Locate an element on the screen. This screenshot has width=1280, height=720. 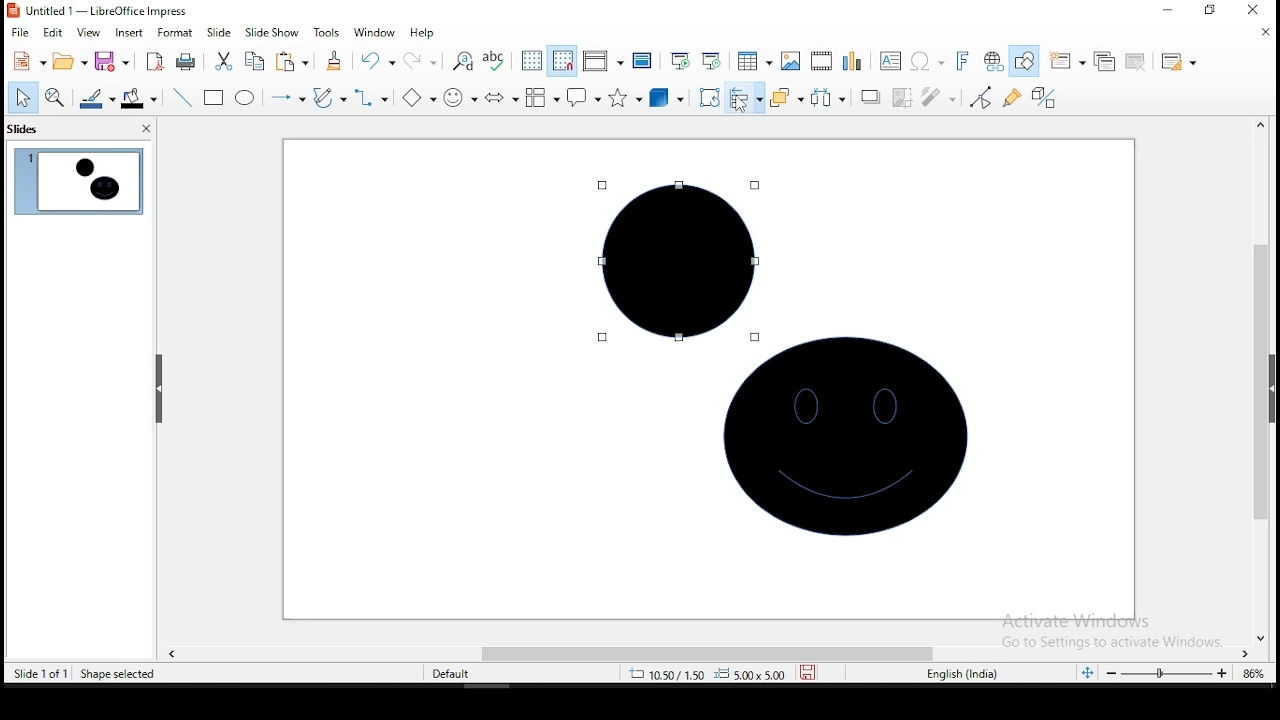
new tool is located at coordinates (28, 60).